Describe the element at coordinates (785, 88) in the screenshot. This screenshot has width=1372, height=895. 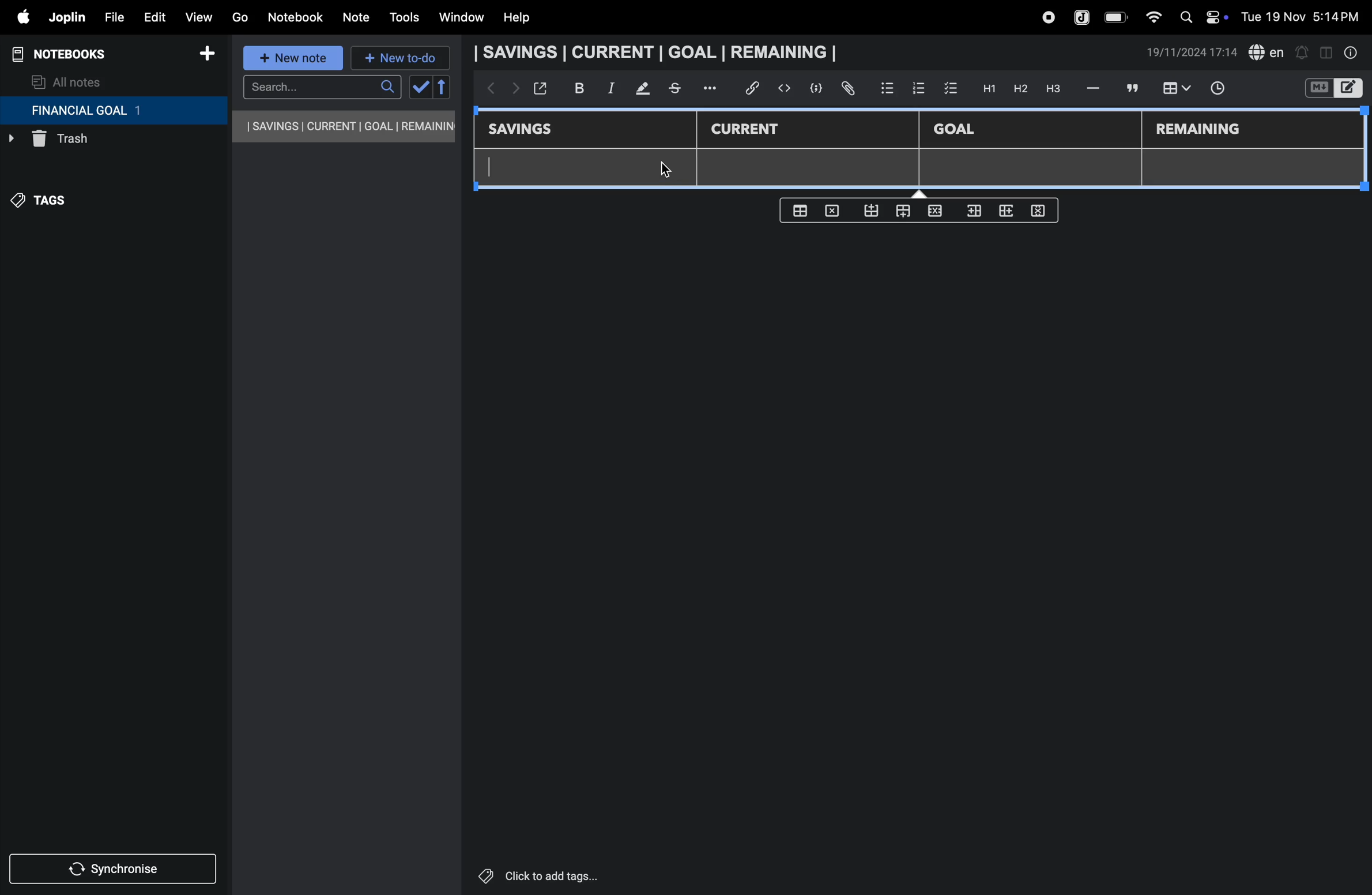
I see `insert code` at that location.